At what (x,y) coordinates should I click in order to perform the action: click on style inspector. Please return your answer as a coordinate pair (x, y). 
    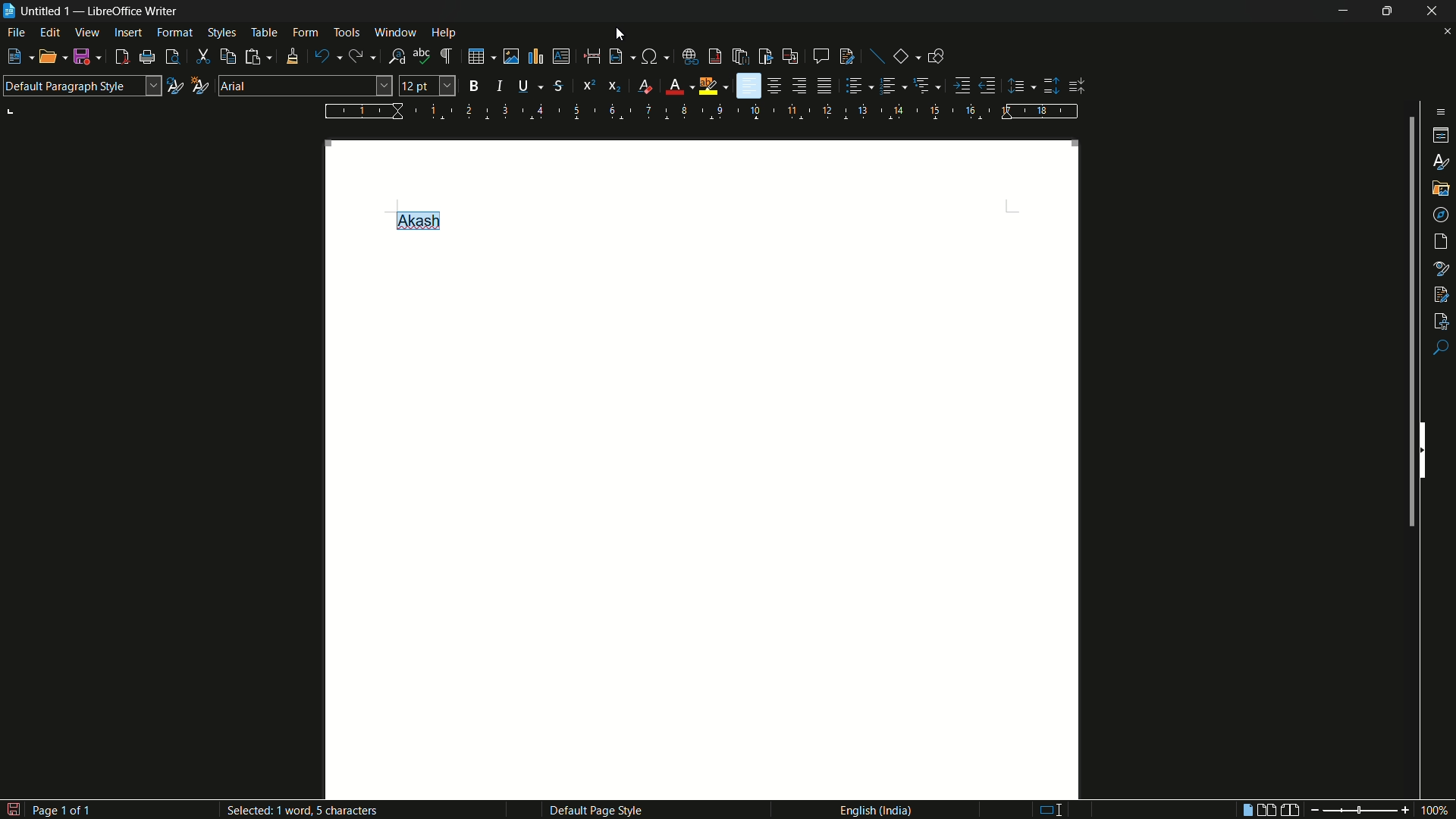
    Looking at the image, I should click on (1442, 267).